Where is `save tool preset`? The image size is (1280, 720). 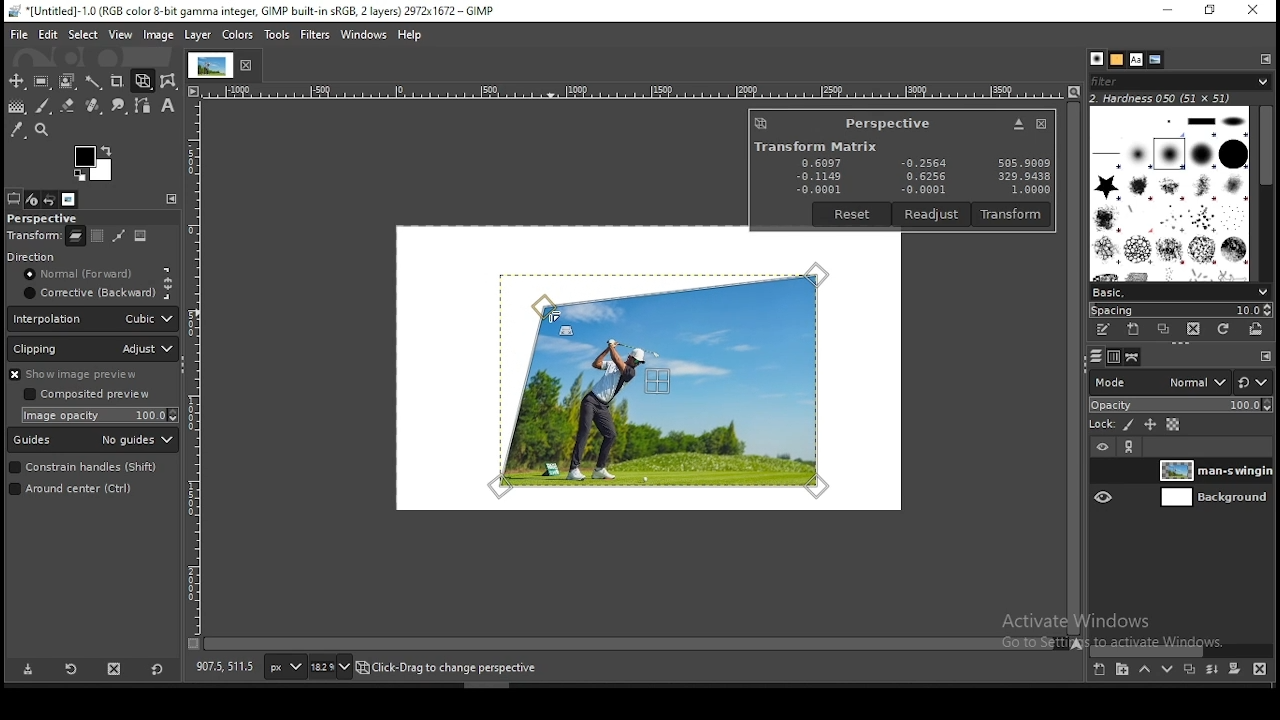 save tool preset is located at coordinates (28, 670).